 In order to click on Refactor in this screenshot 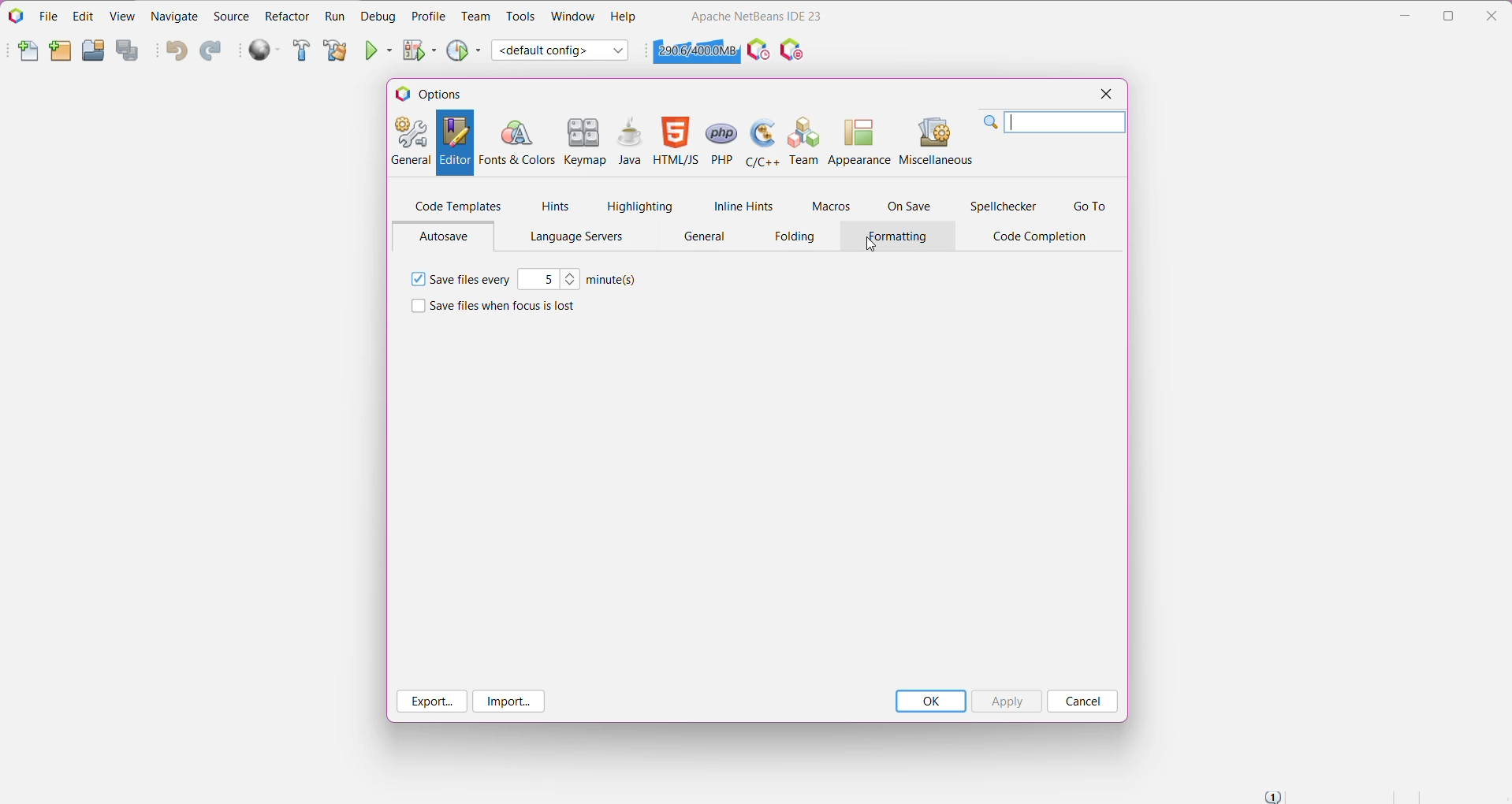, I will do `click(287, 16)`.